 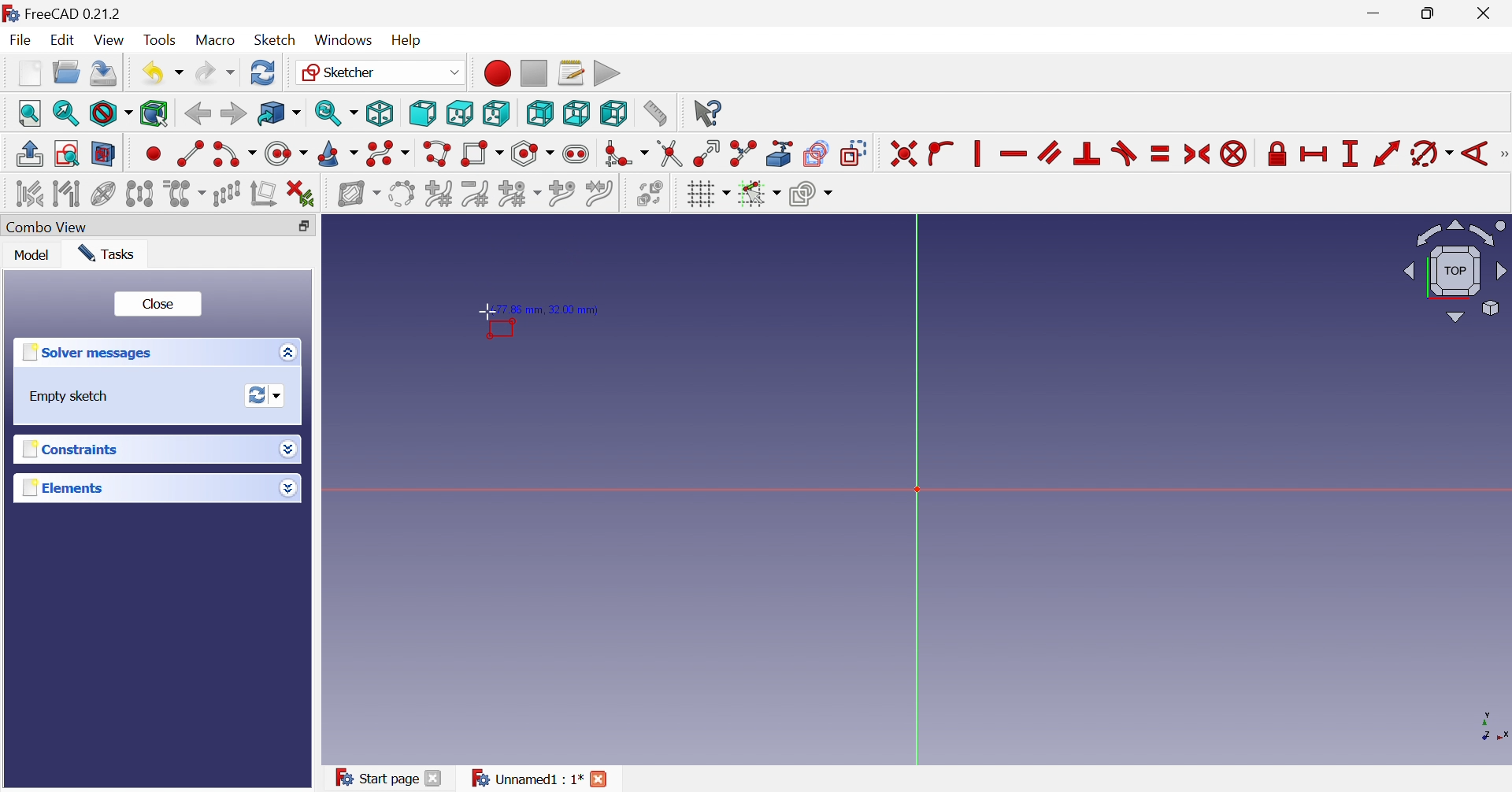 I want to click on Redo, so click(x=215, y=73).